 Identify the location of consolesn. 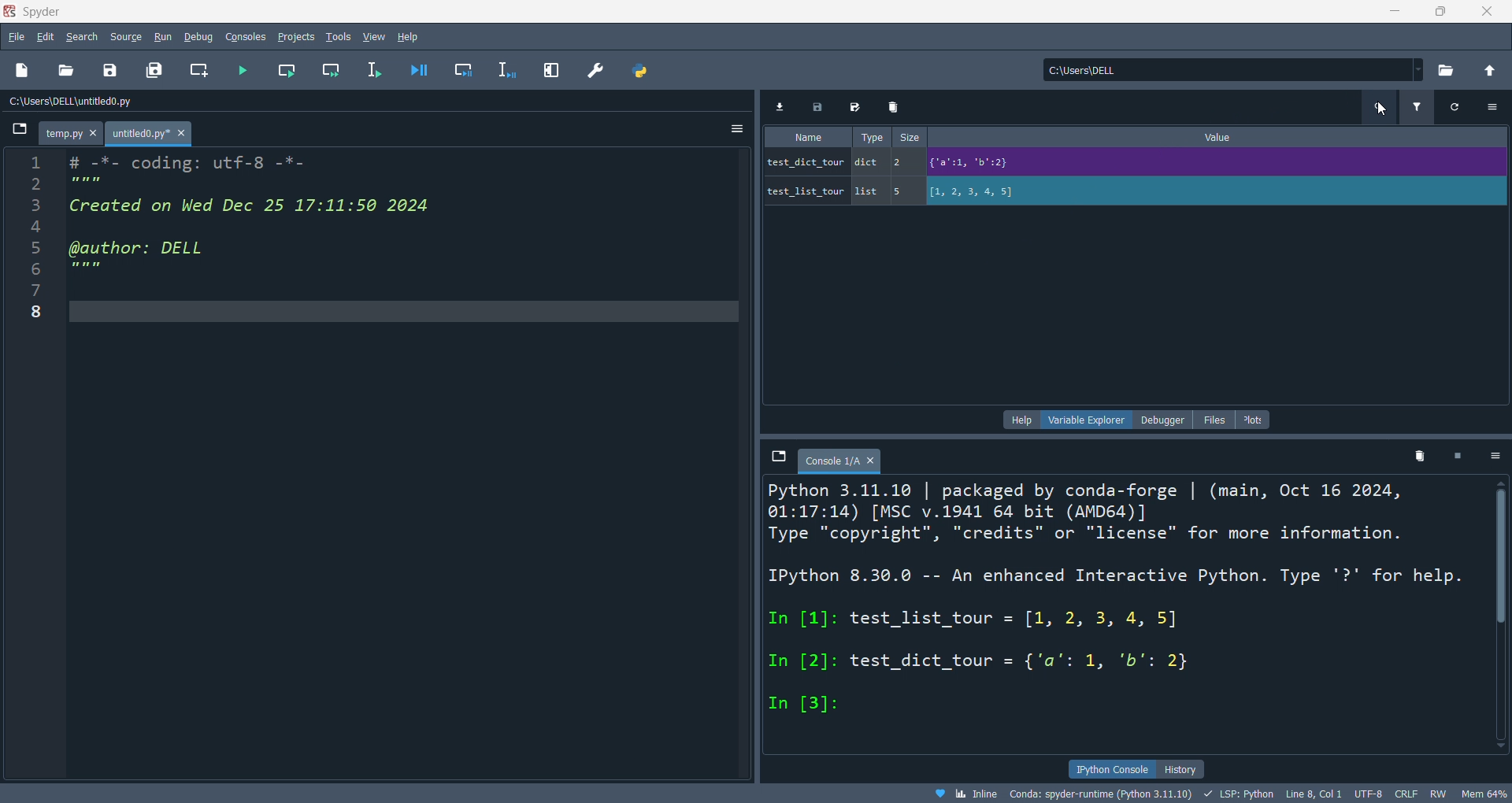
(239, 36).